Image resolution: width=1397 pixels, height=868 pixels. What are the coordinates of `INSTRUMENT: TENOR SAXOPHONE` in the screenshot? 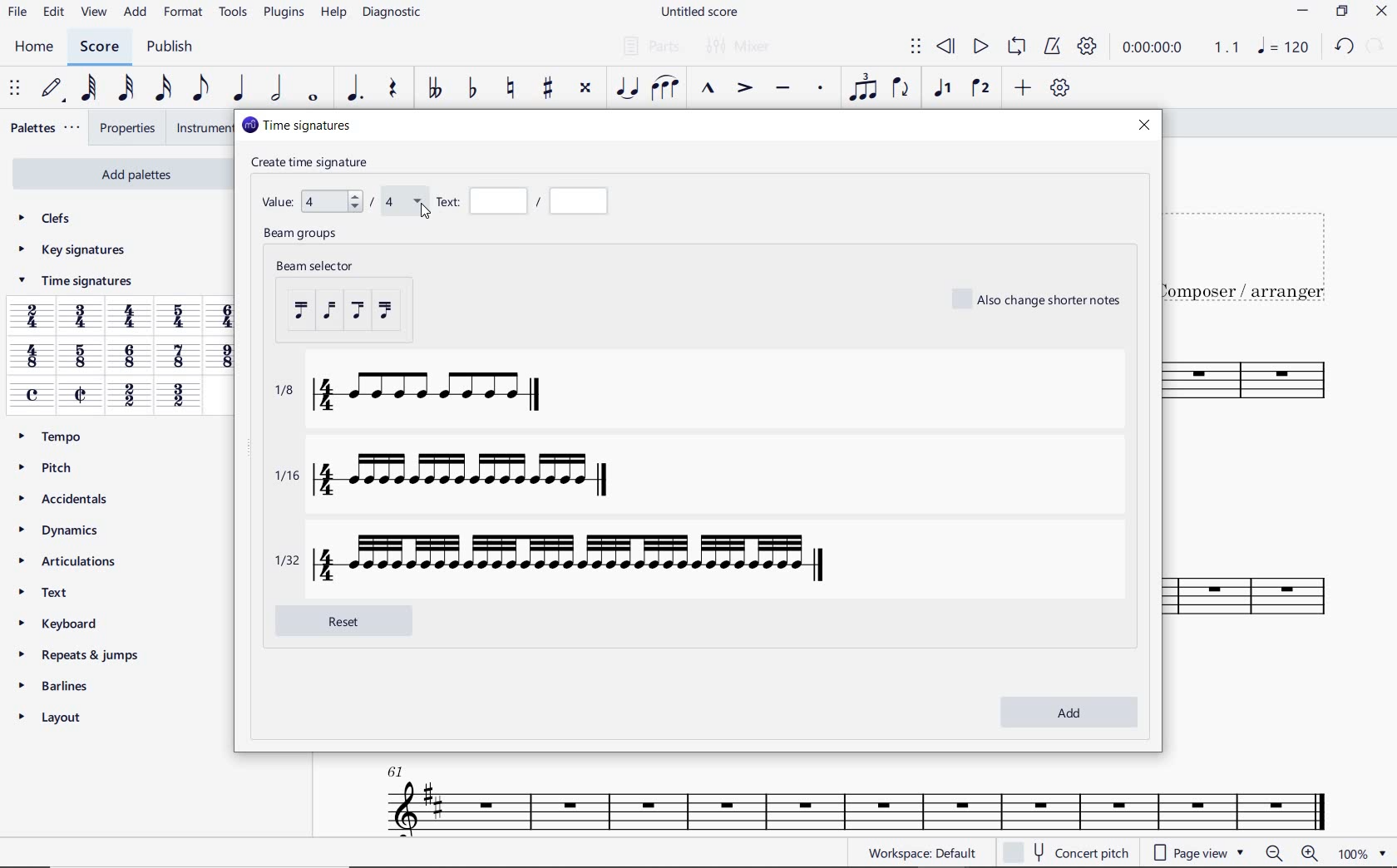 It's located at (848, 794).